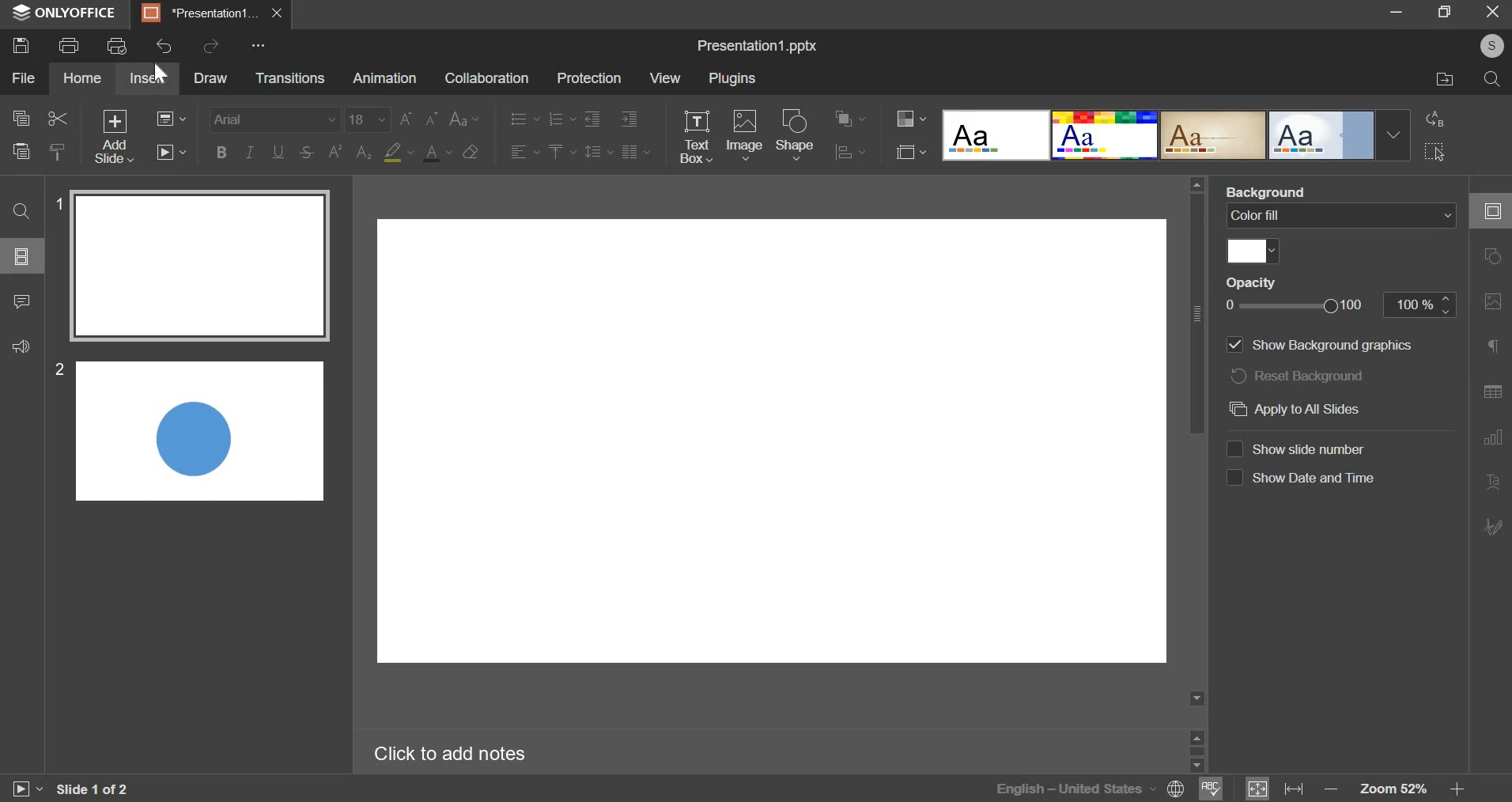 This screenshot has height=802, width=1512. I want to click on comment, so click(22, 301).